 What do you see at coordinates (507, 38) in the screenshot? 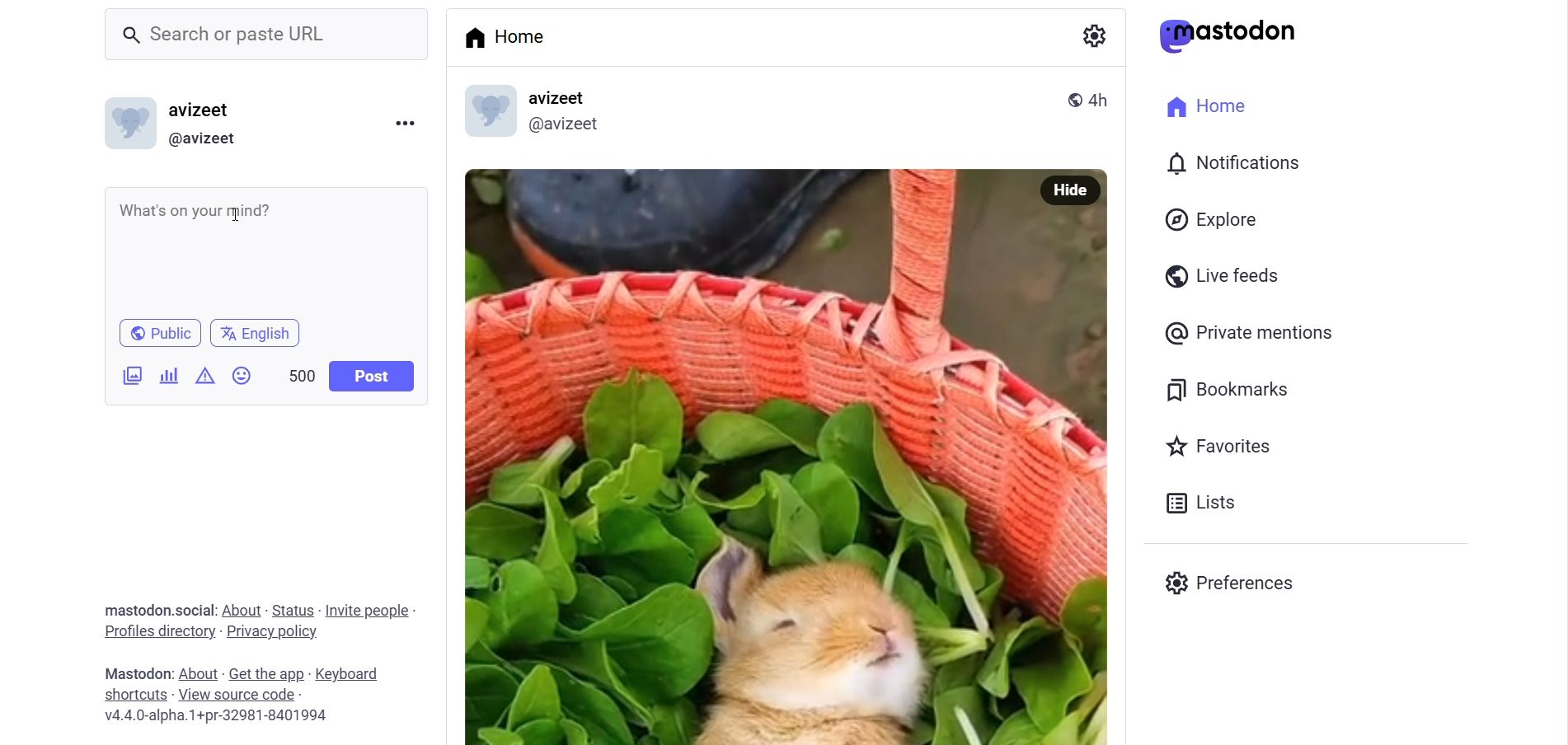
I see `Home` at bounding box center [507, 38].